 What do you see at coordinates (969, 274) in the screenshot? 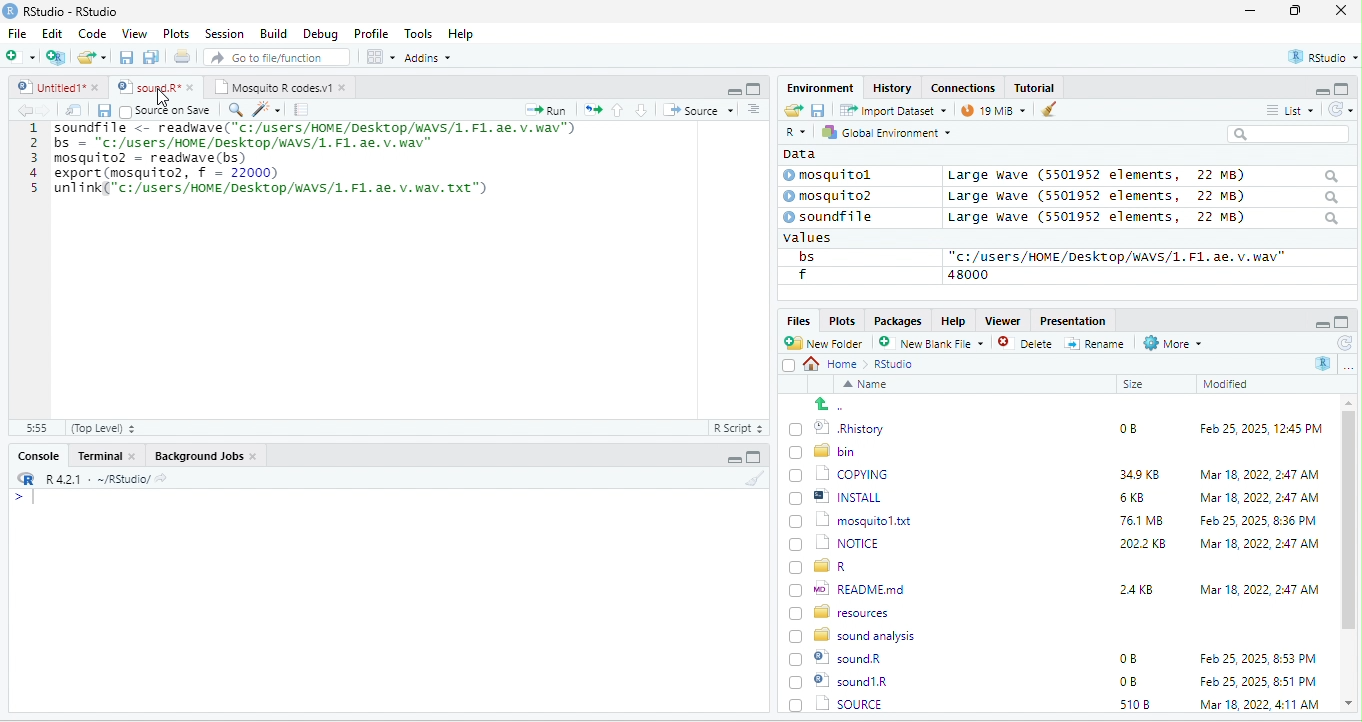
I see `48000` at bounding box center [969, 274].